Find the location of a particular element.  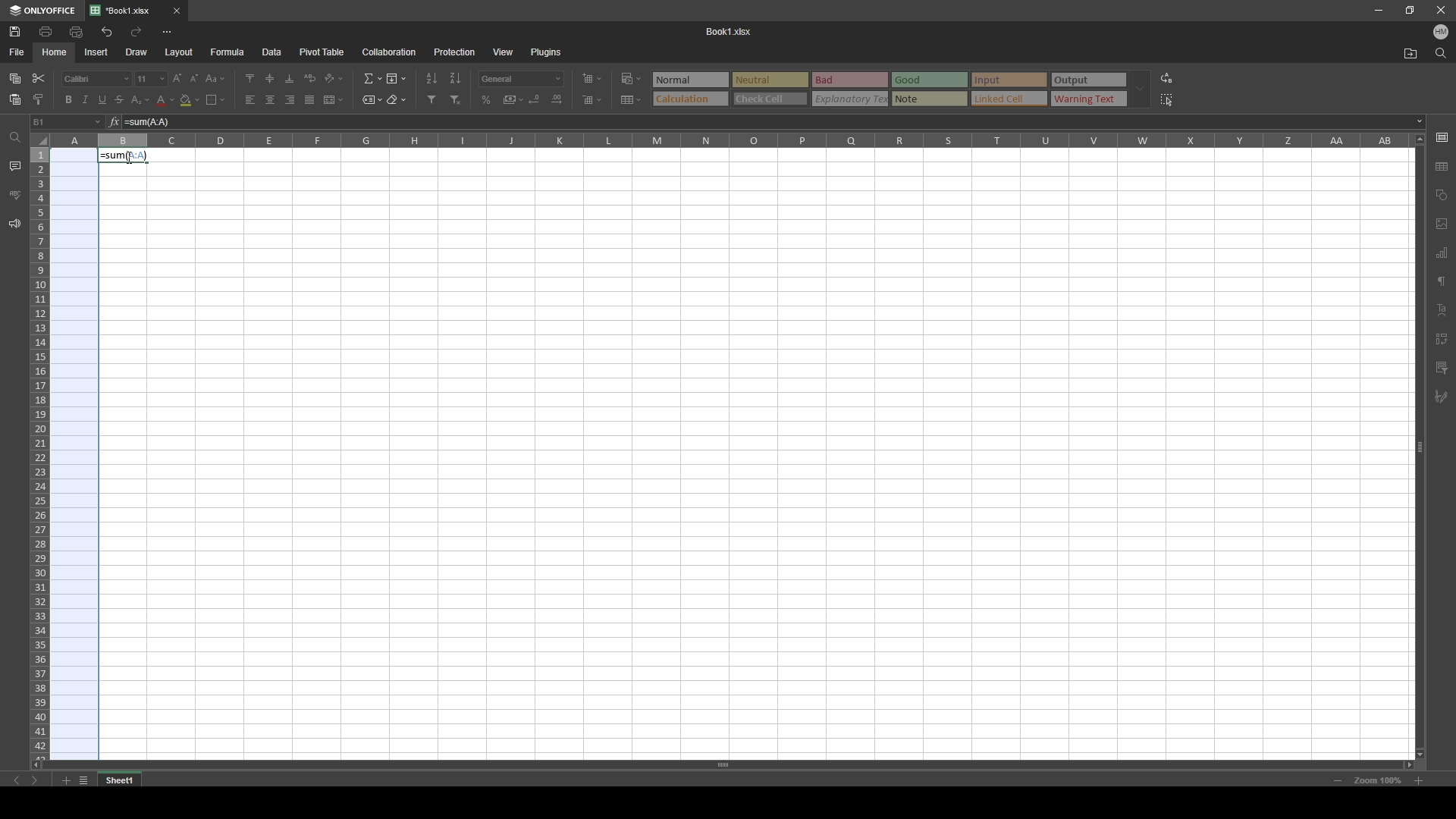

close is located at coordinates (1439, 10).